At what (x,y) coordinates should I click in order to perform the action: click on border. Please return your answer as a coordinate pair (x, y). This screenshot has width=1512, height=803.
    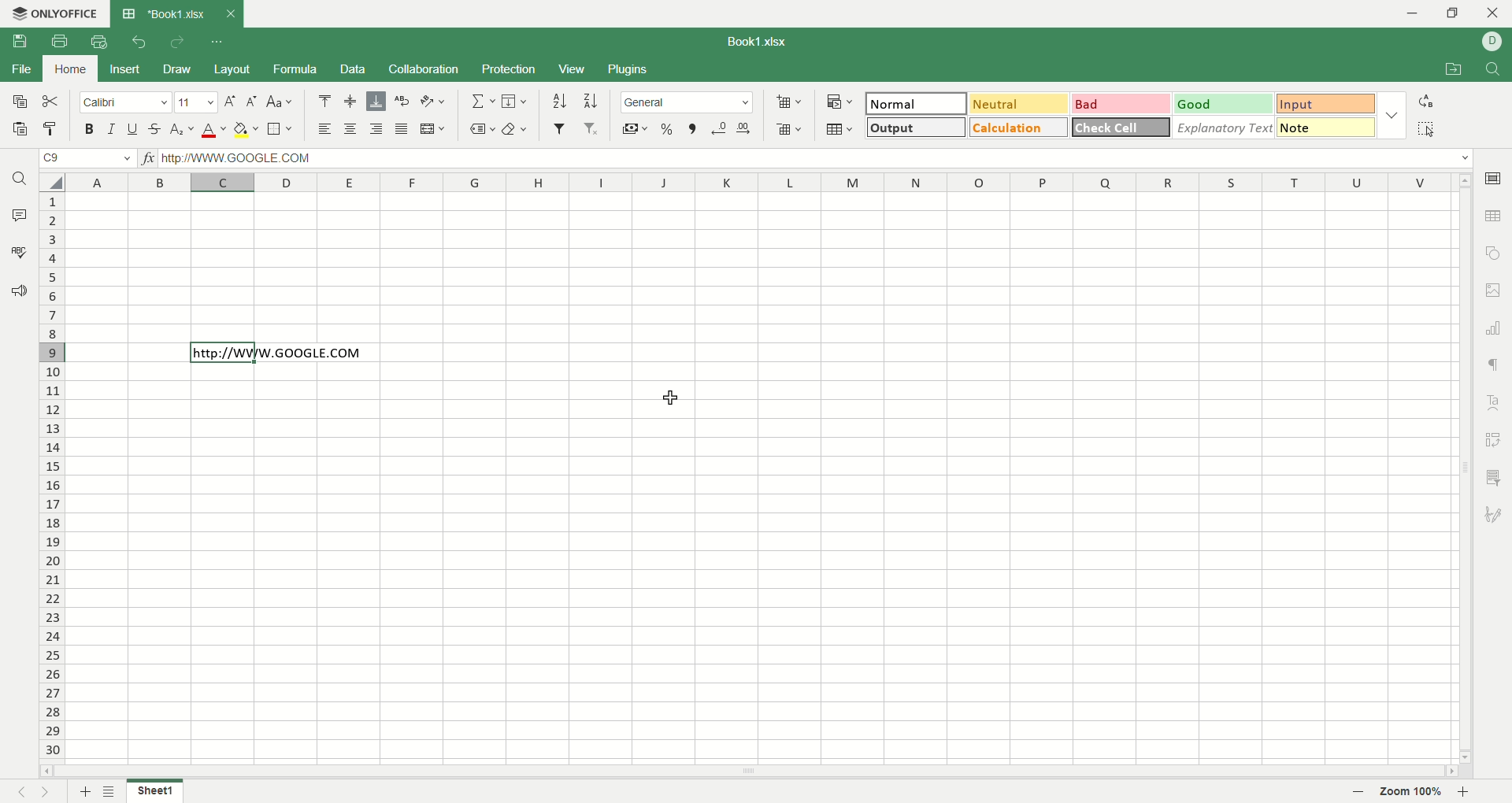
    Looking at the image, I should click on (278, 130).